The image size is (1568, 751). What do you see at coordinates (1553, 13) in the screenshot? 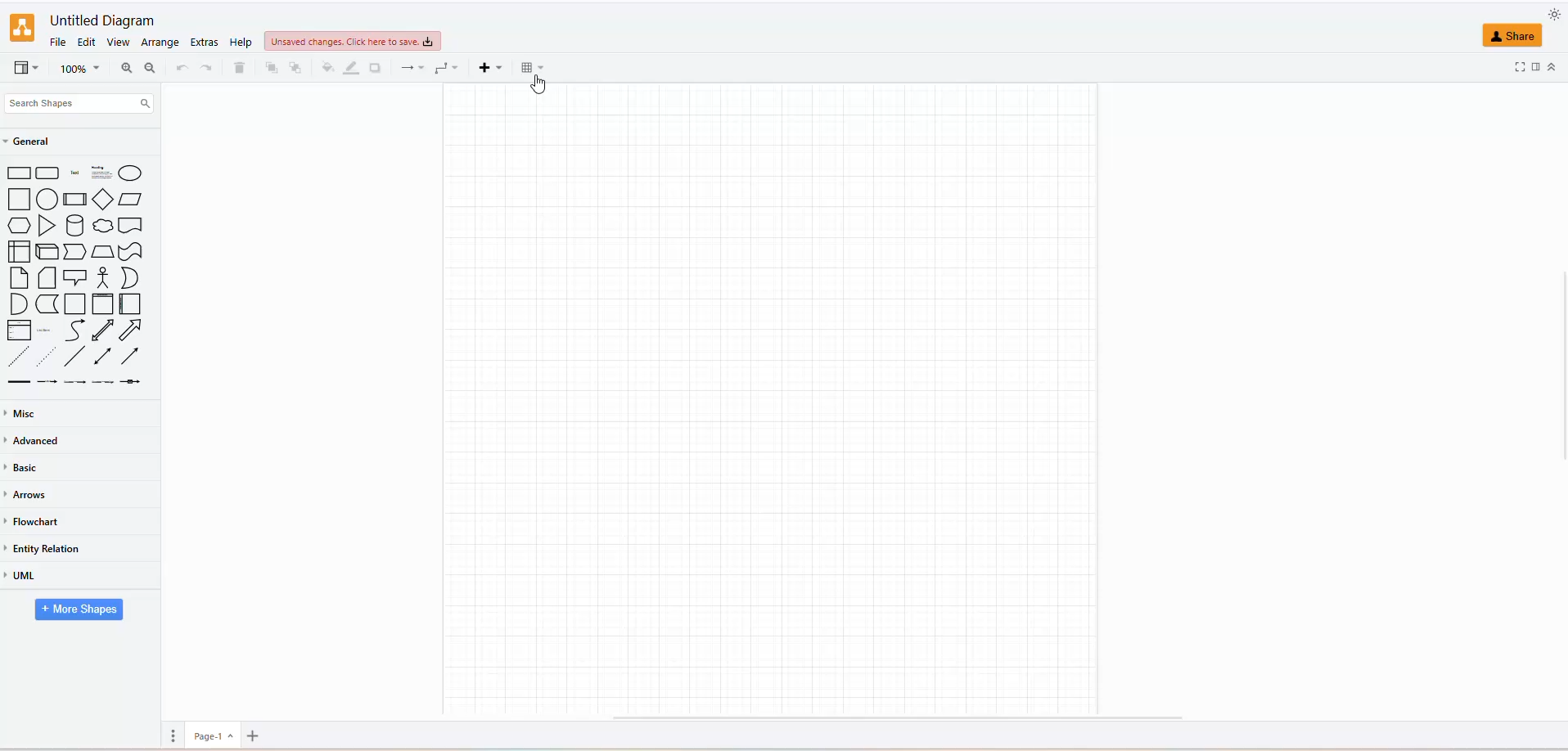
I see `appearance` at bounding box center [1553, 13].